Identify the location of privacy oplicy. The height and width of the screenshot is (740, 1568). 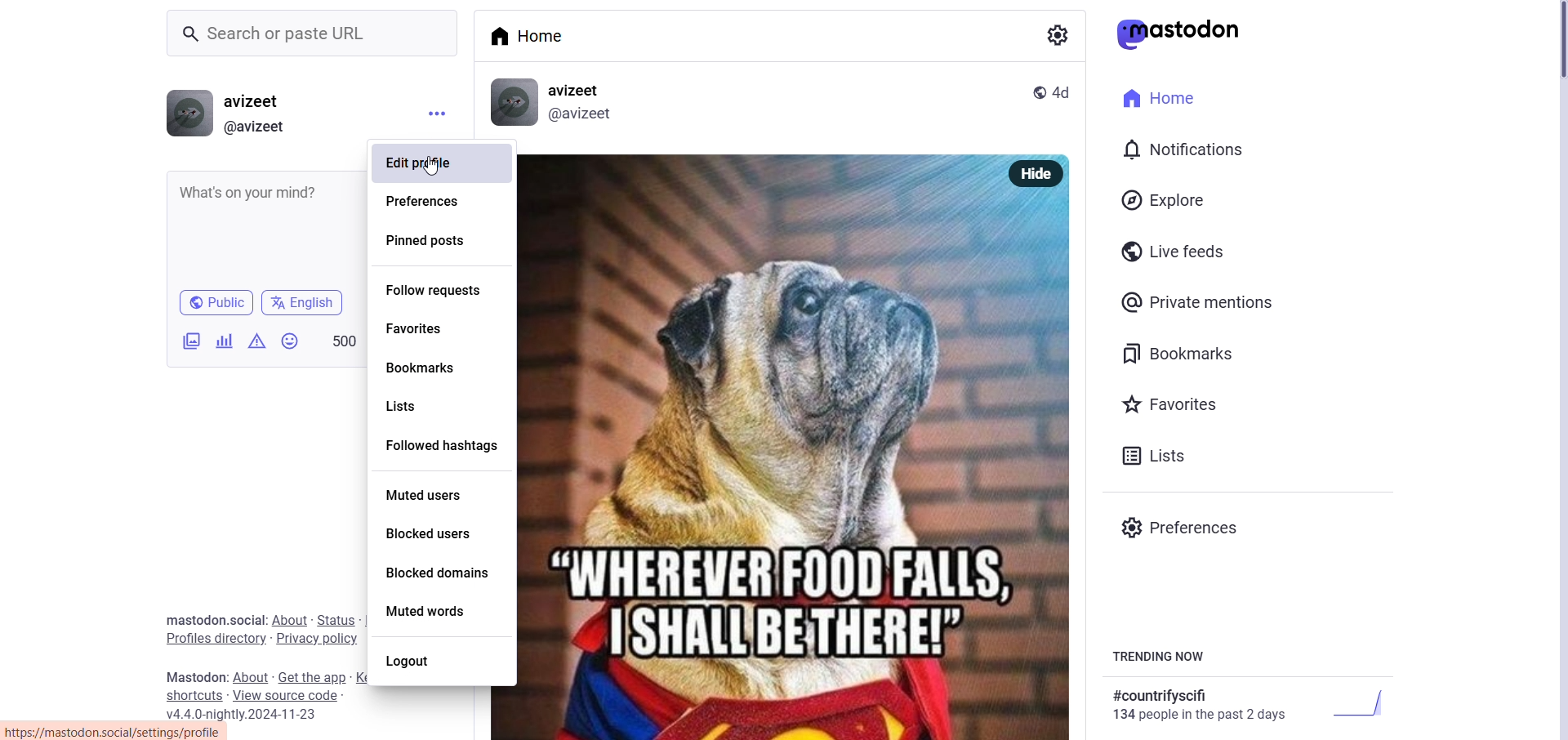
(318, 639).